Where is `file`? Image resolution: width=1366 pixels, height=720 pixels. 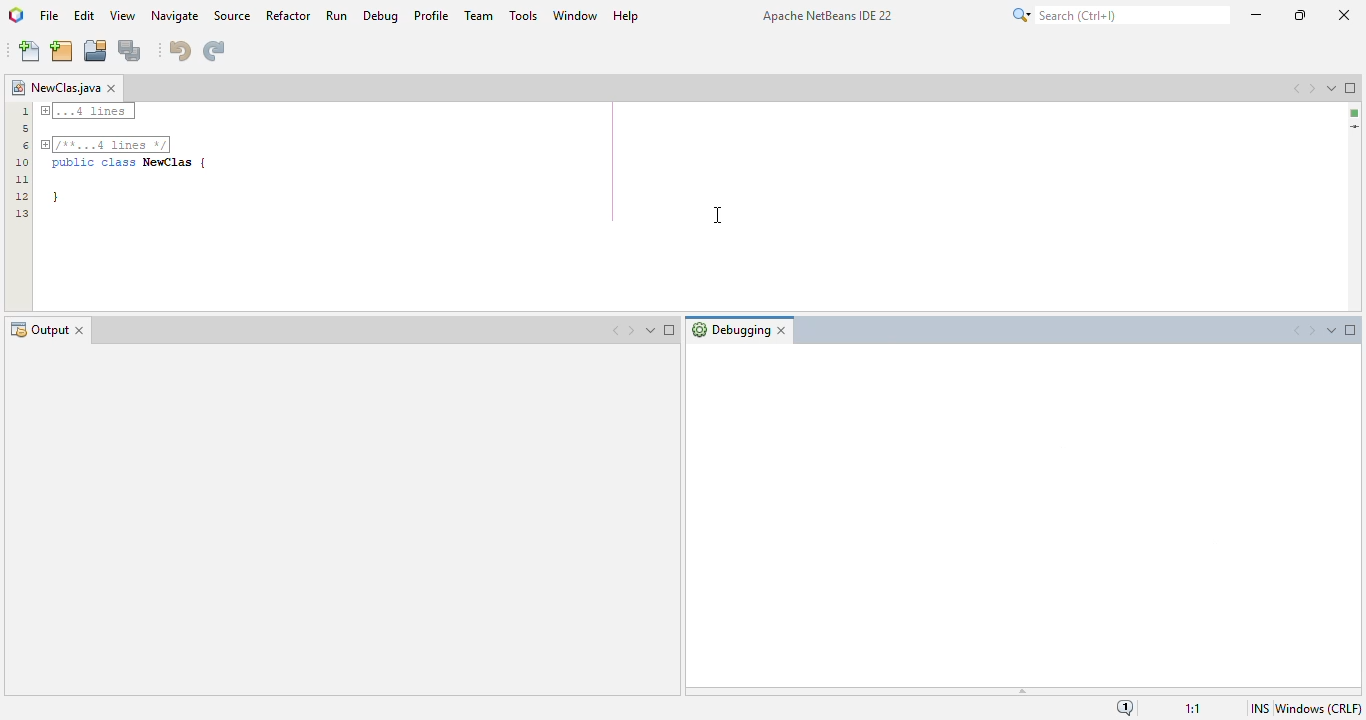
file is located at coordinates (50, 15).